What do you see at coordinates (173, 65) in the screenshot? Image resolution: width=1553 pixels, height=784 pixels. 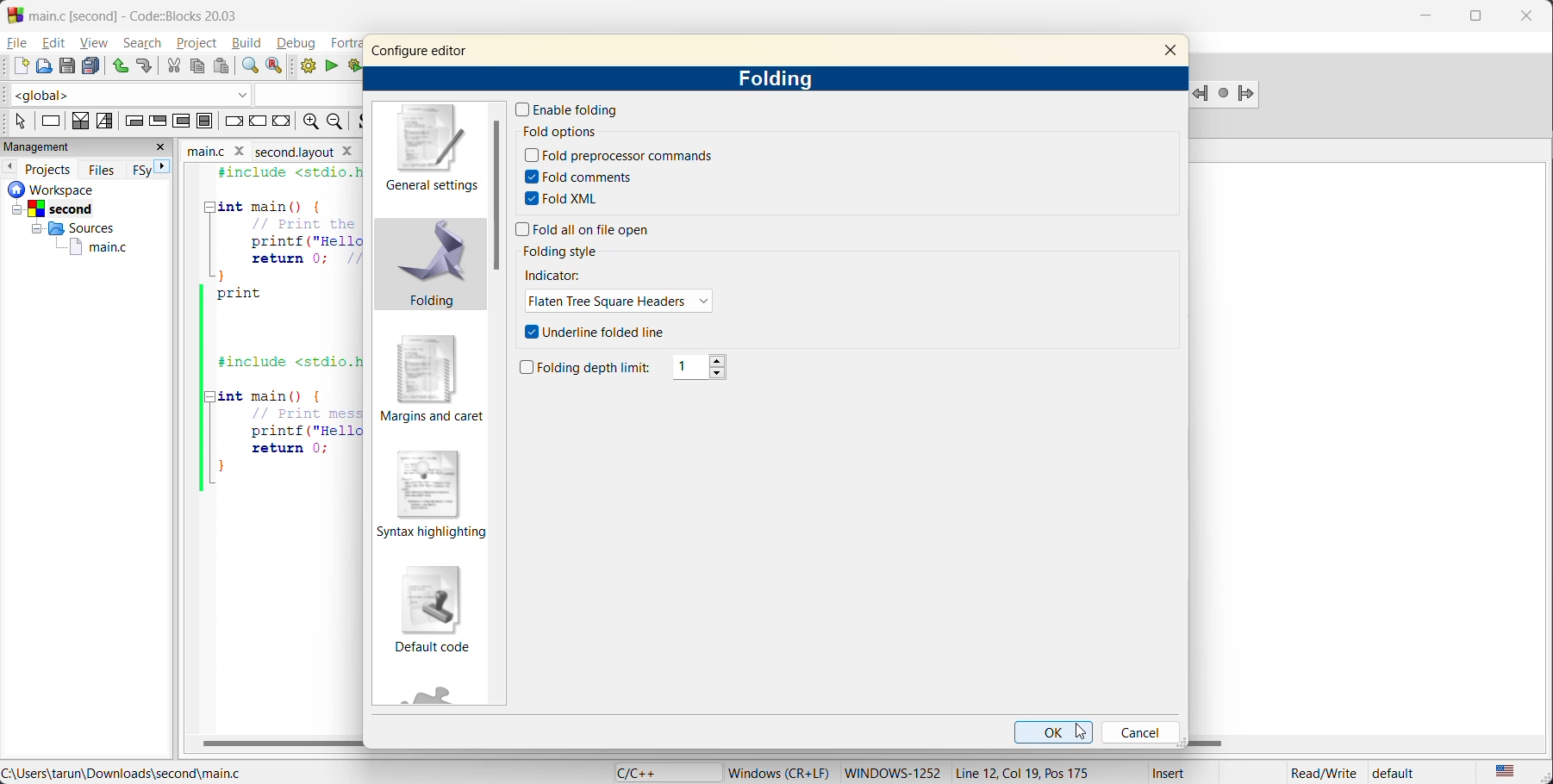 I see `cut` at bounding box center [173, 65].